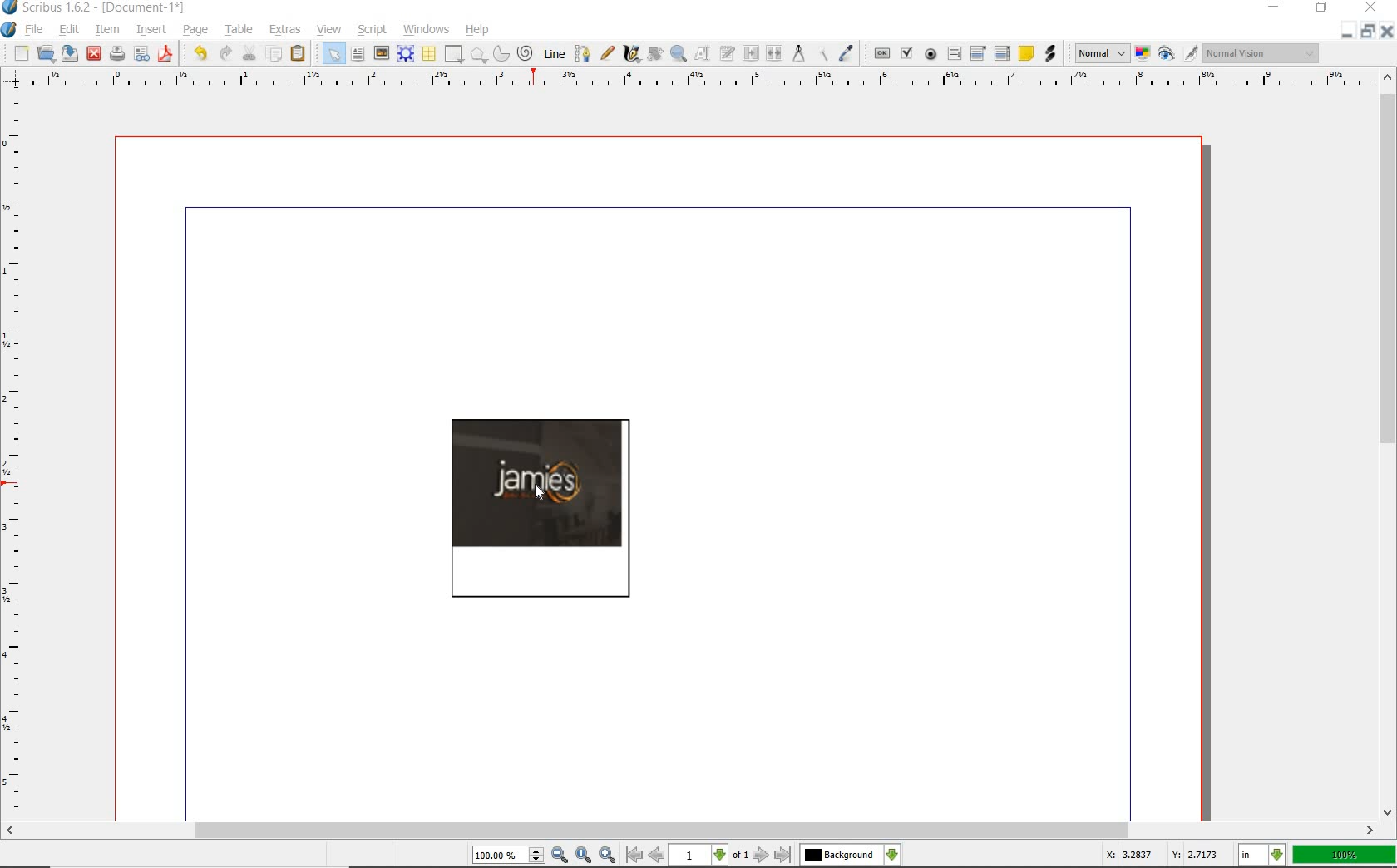 This screenshot has height=868, width=1397. Describe the element at coordinates (1143, 53) in the screenshot. I see `toggle color management` at that location.